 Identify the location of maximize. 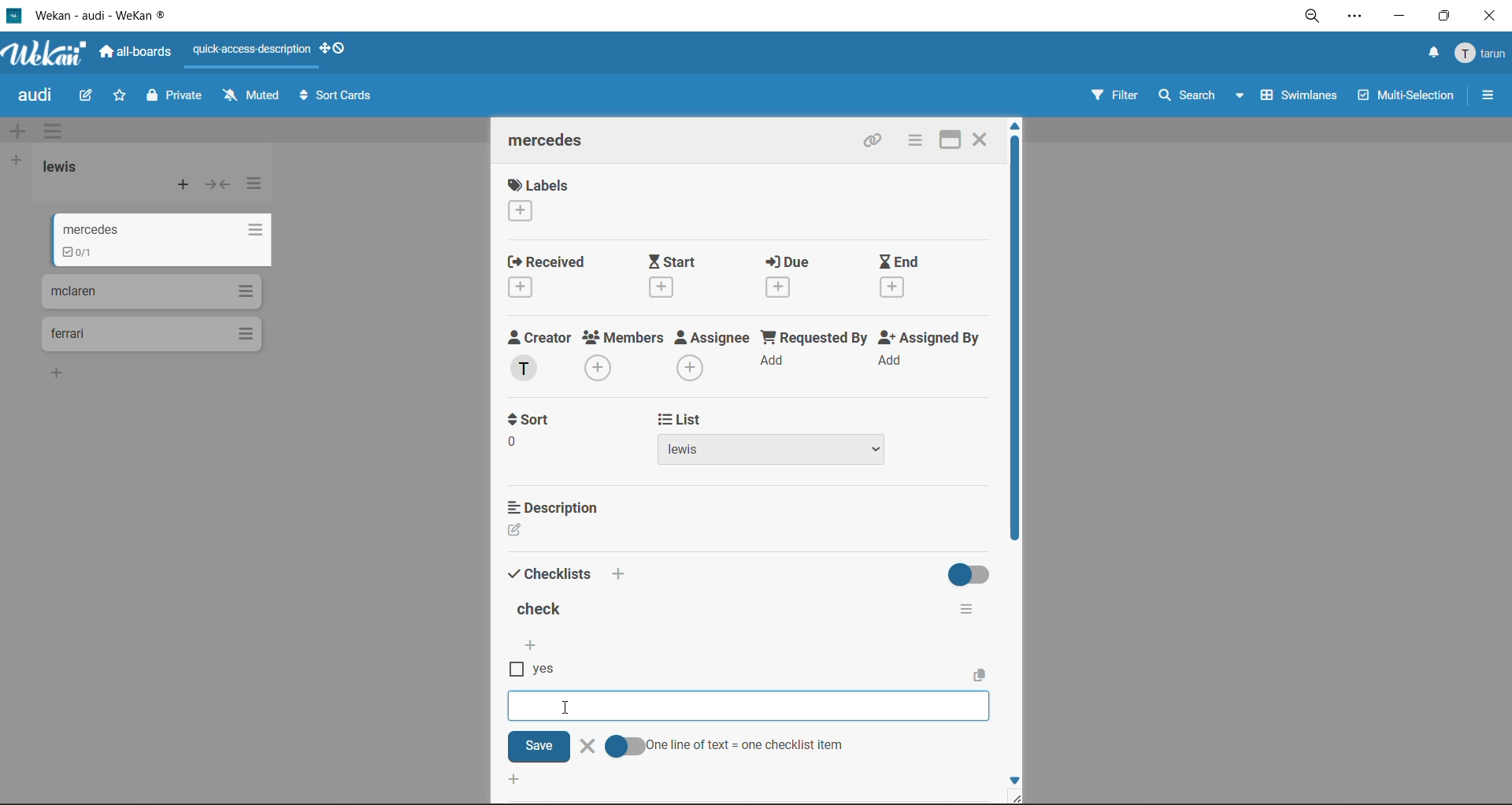
(1440, 20).